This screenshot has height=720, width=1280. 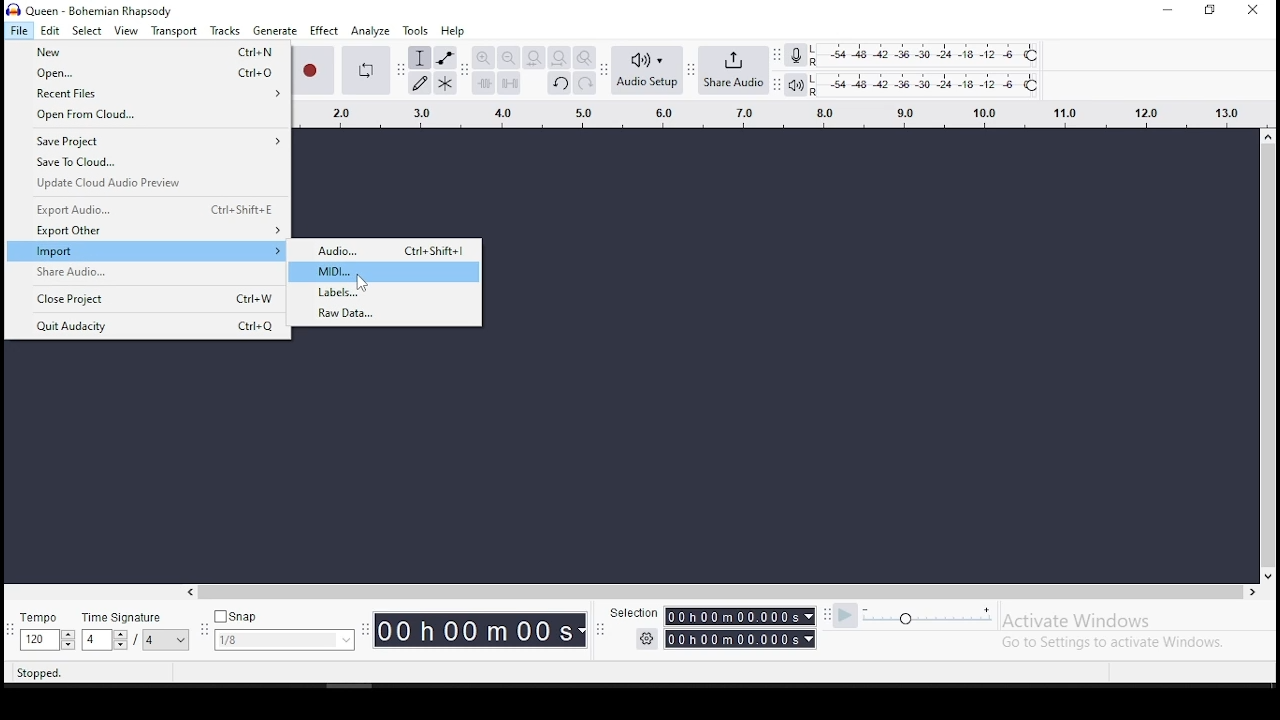 I want to click on New, so click(x=146, y=53).